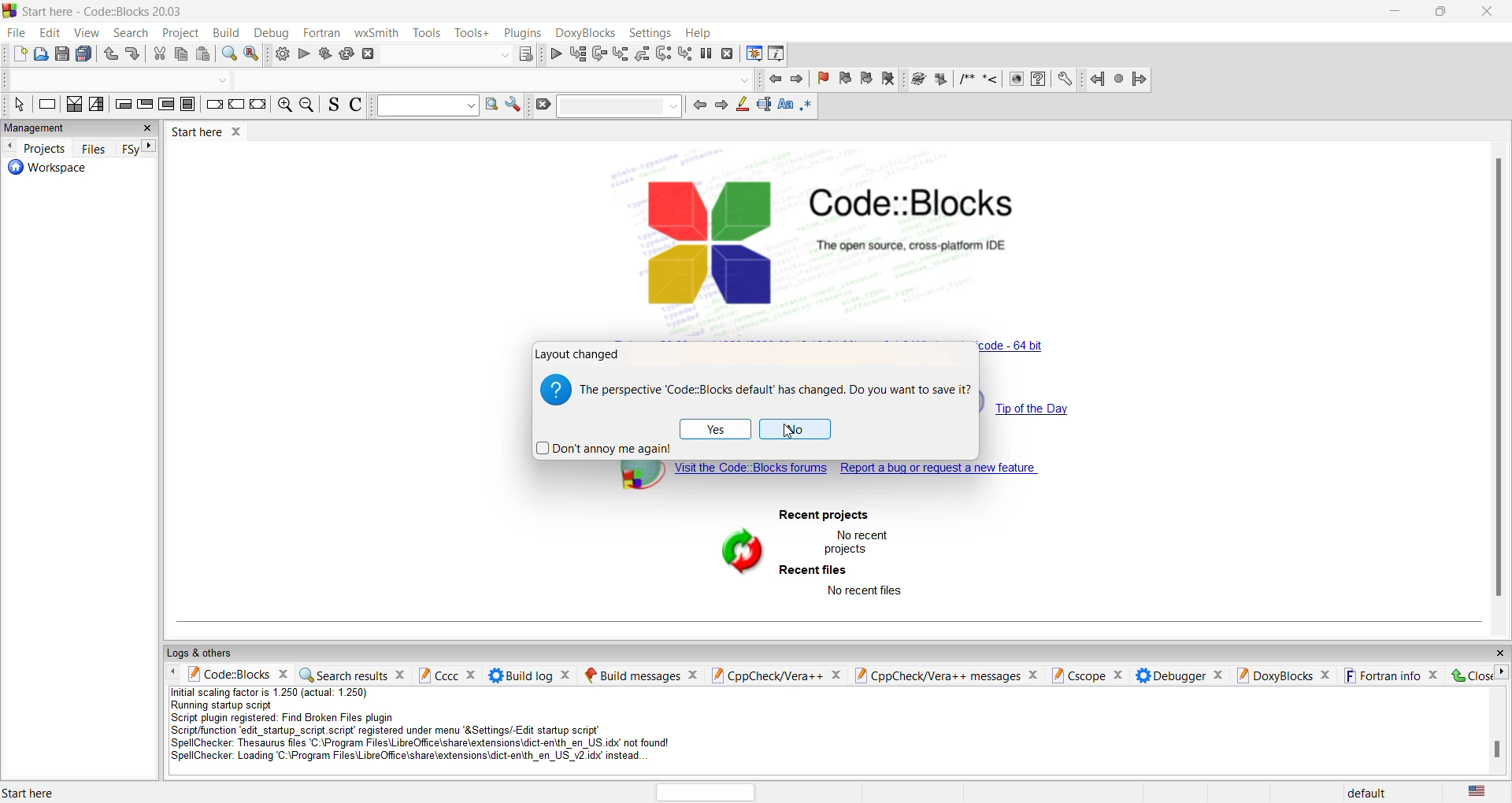  I want to click on dont annoy again checkbox, so click(606, 444).